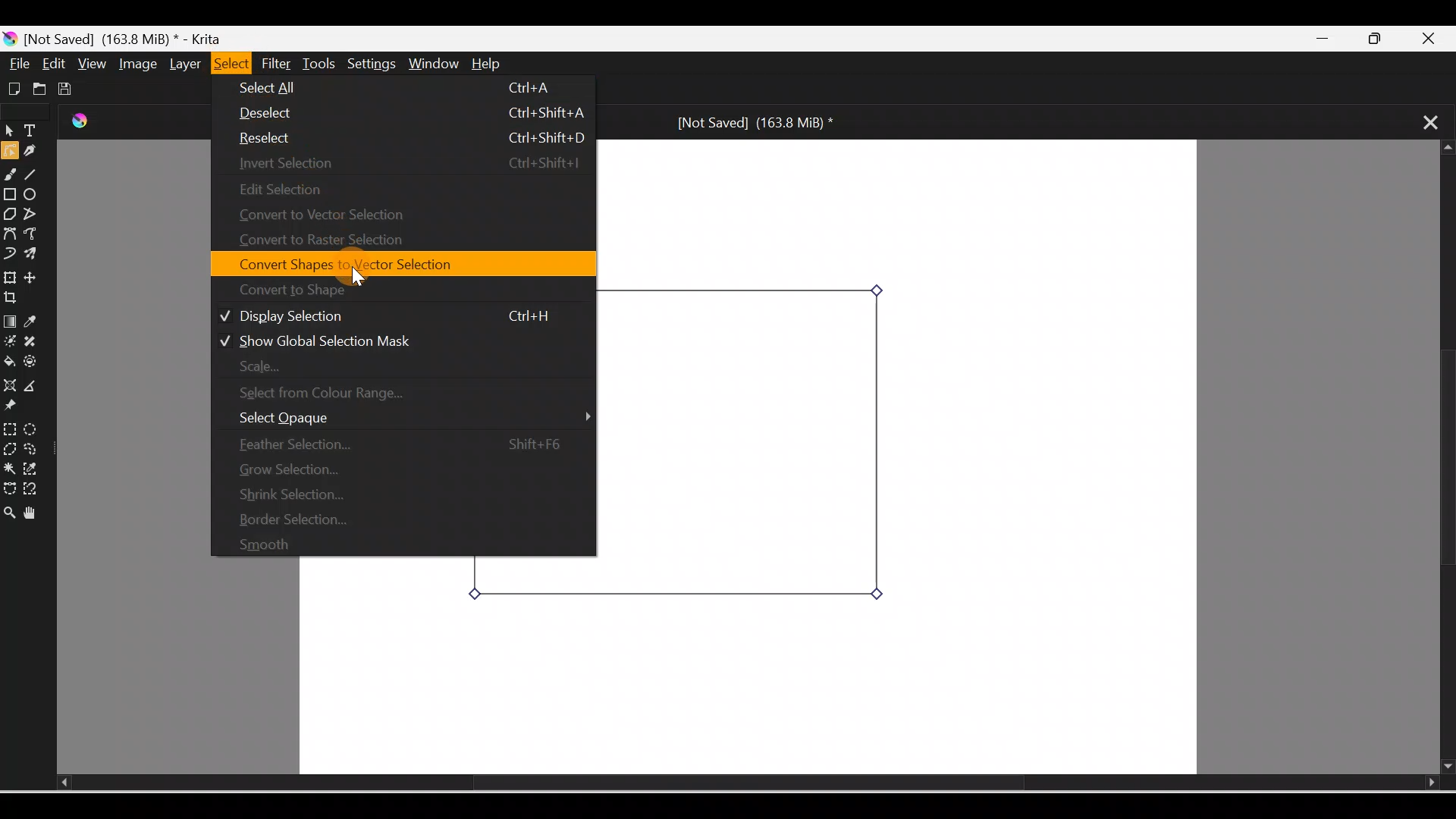 This screenshot has height=819, width=1456. What do you see at coordinates (409, 162) in the screenshot?
I see `Insert selection` at bounding box center [409, 162].